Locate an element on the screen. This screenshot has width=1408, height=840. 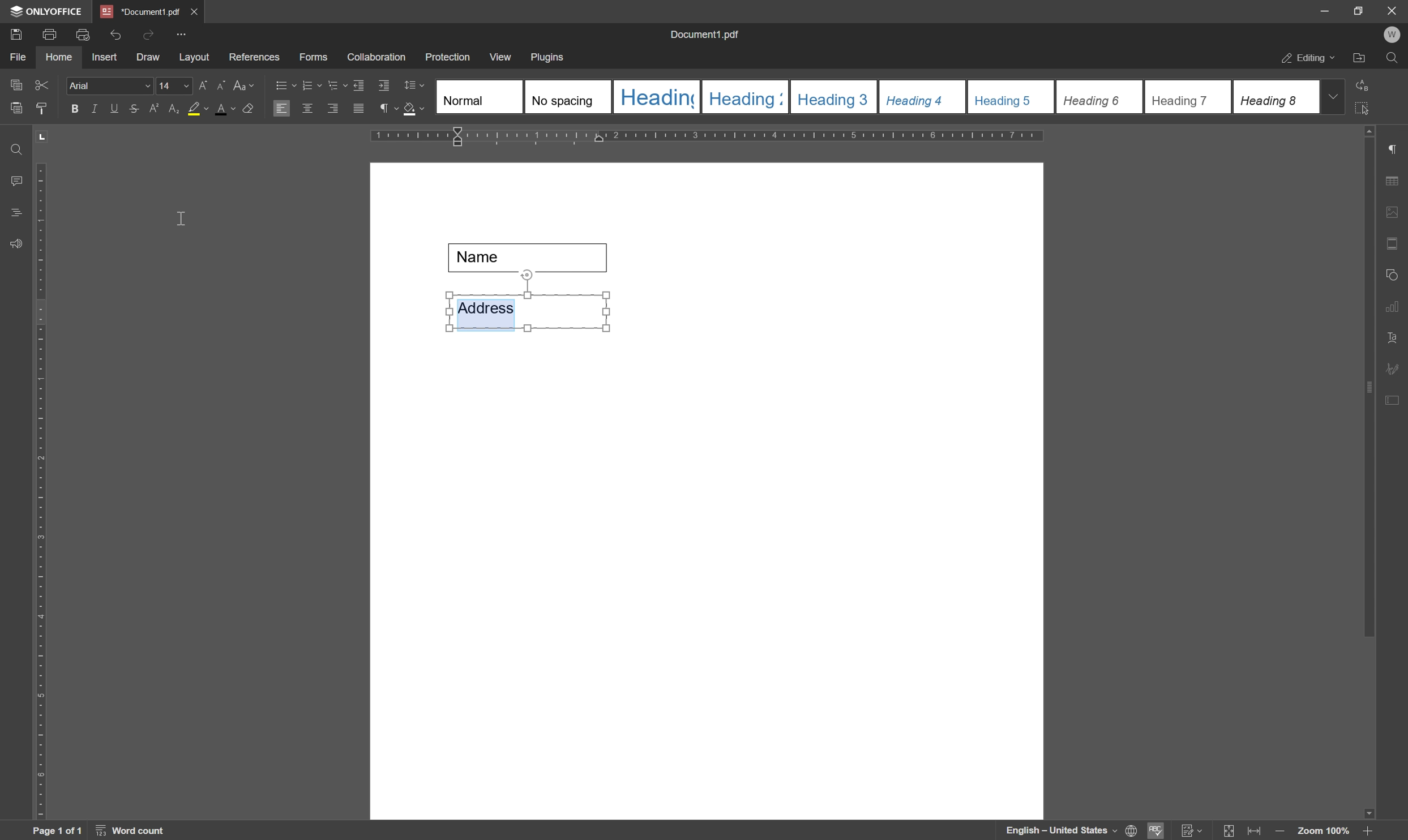
line spacing is located at coordinates (414, 85).